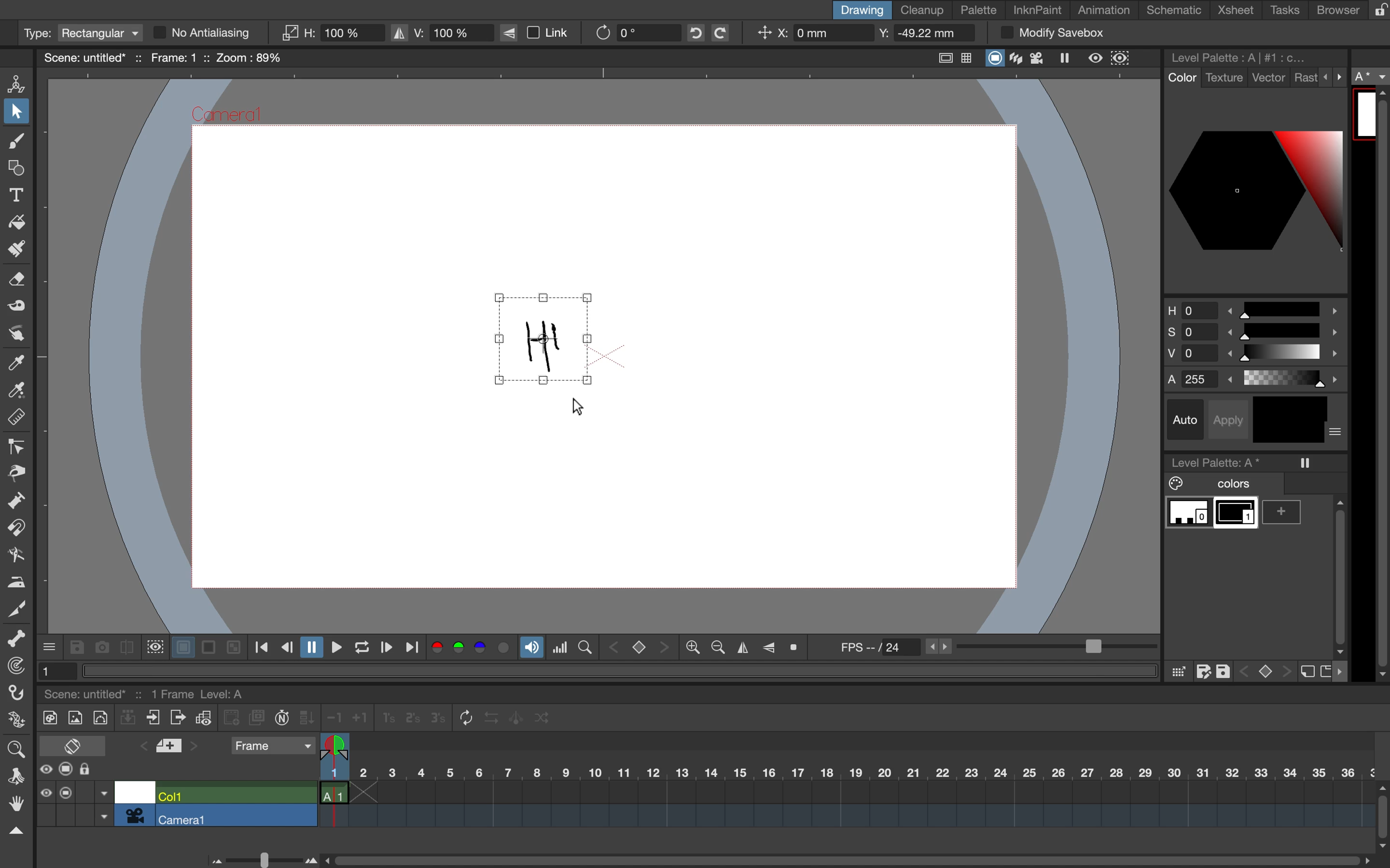  I want to click on vertical scroll bar timeline bar, so click(1381, 815).